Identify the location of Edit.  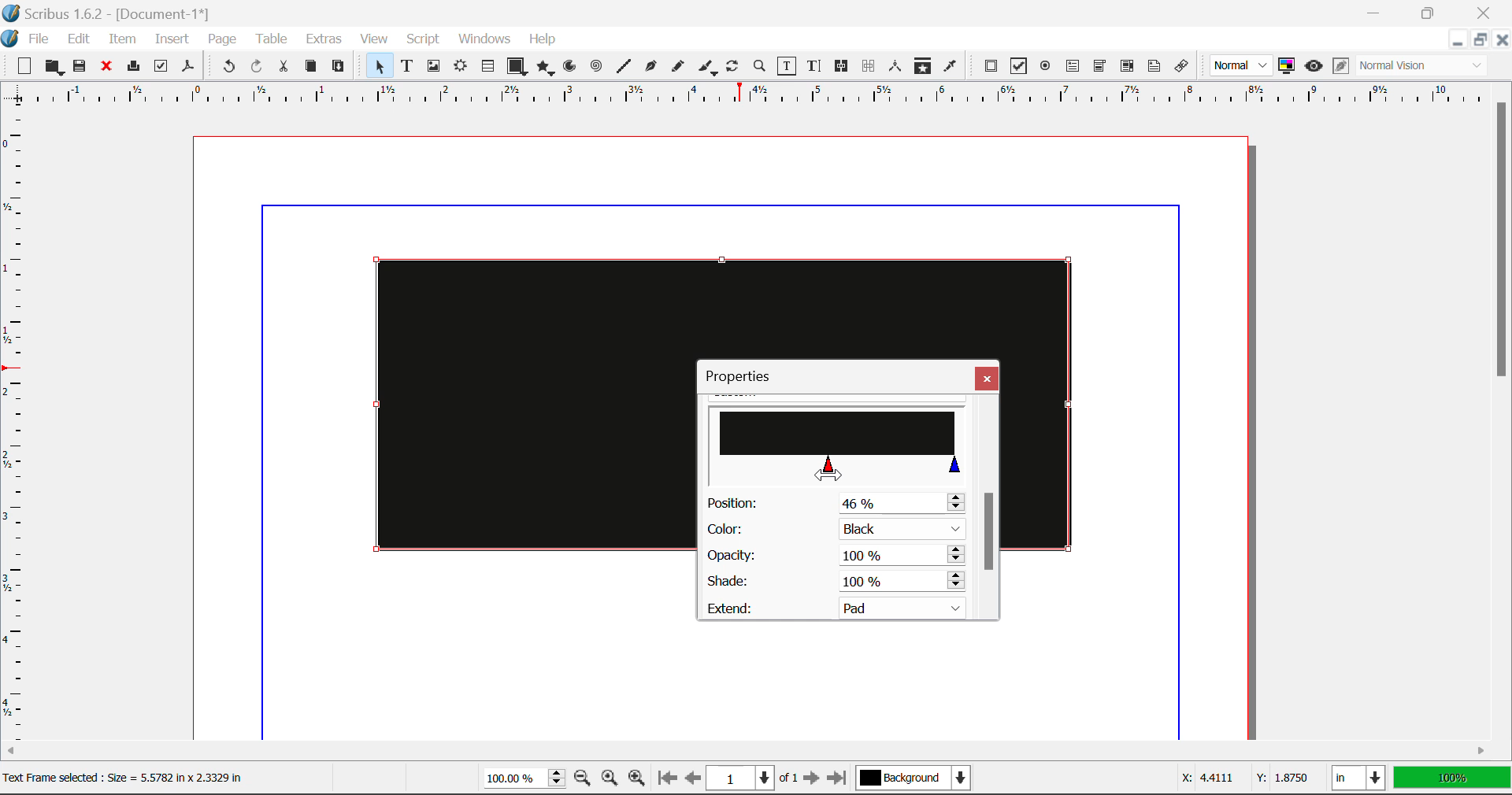
(79, 39).